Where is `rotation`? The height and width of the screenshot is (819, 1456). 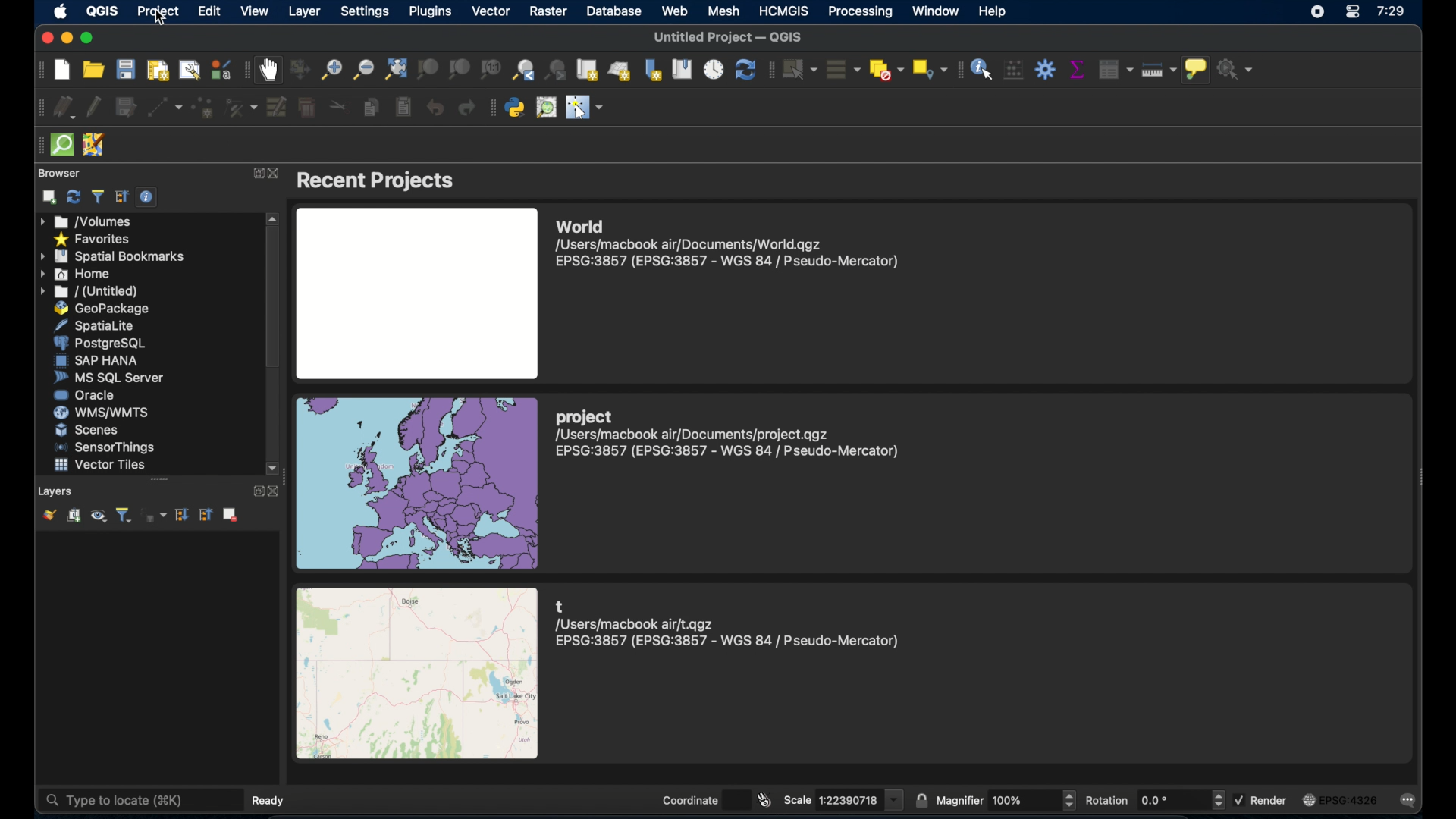 rotation is located at coordinates (1109, 799).